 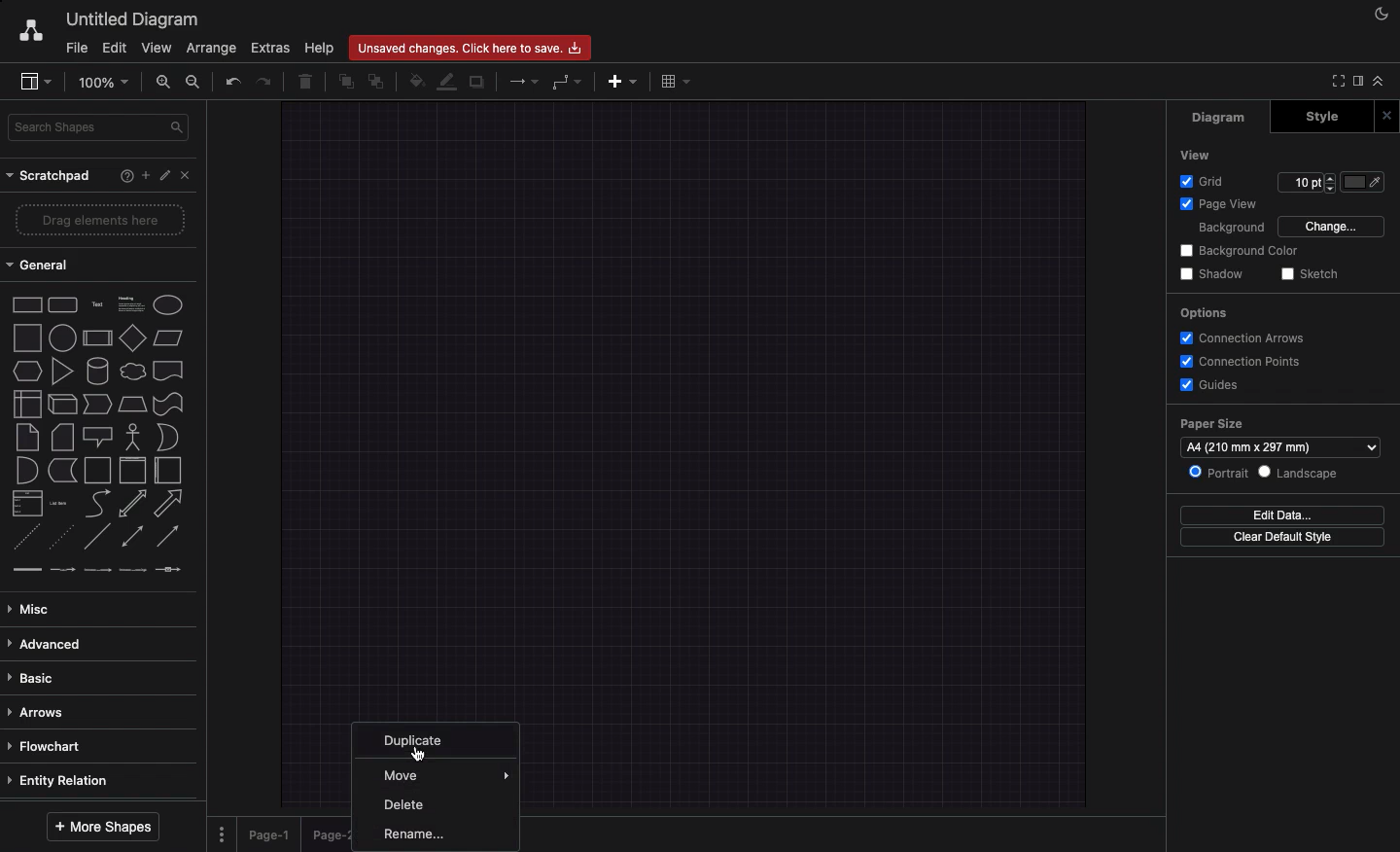 I want to click on Unsaved changes. click here to save, so click(x=466, y=49).